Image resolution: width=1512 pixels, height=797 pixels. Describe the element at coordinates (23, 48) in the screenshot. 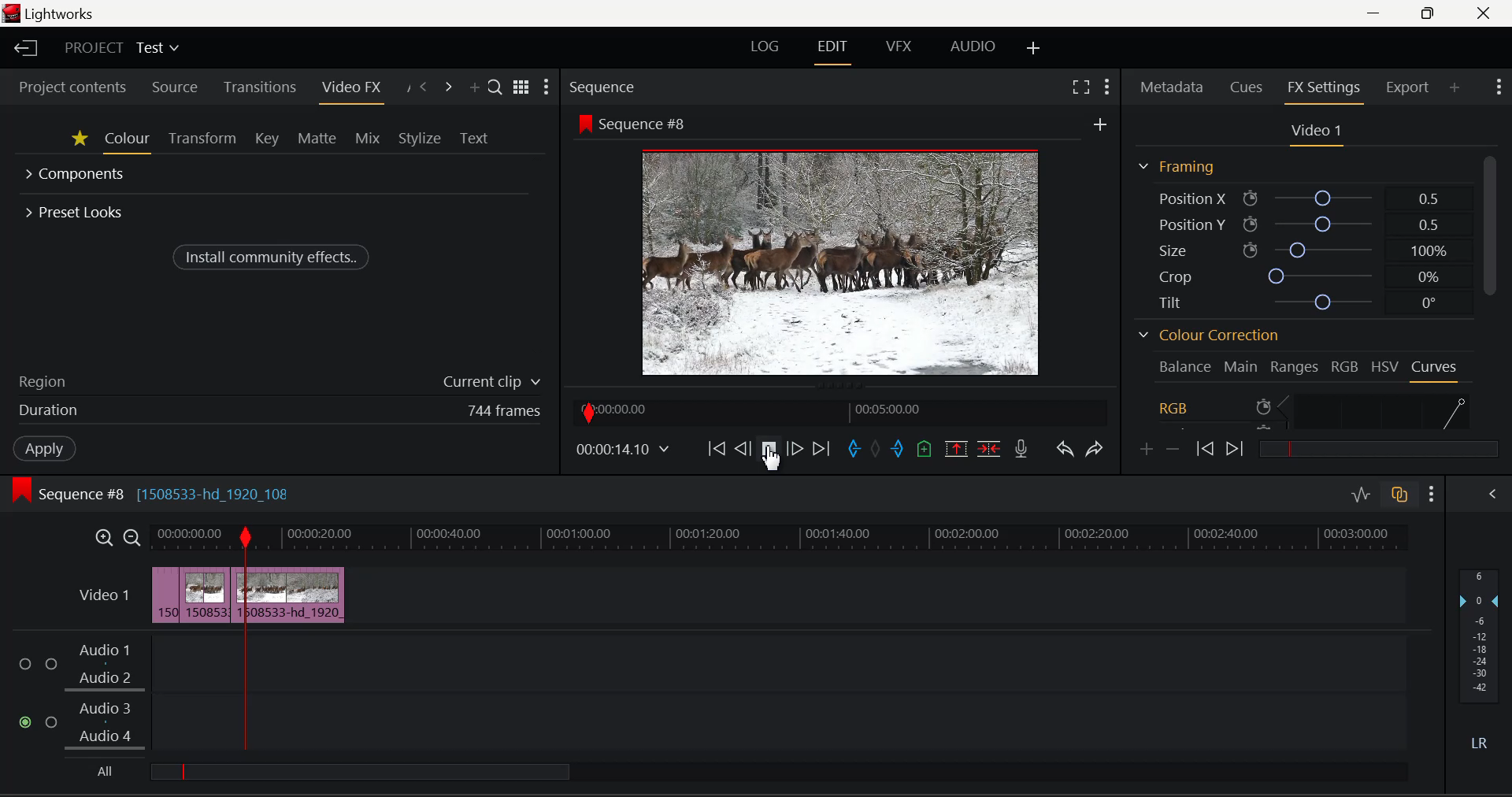

I see `Back to Homepage` at that location.